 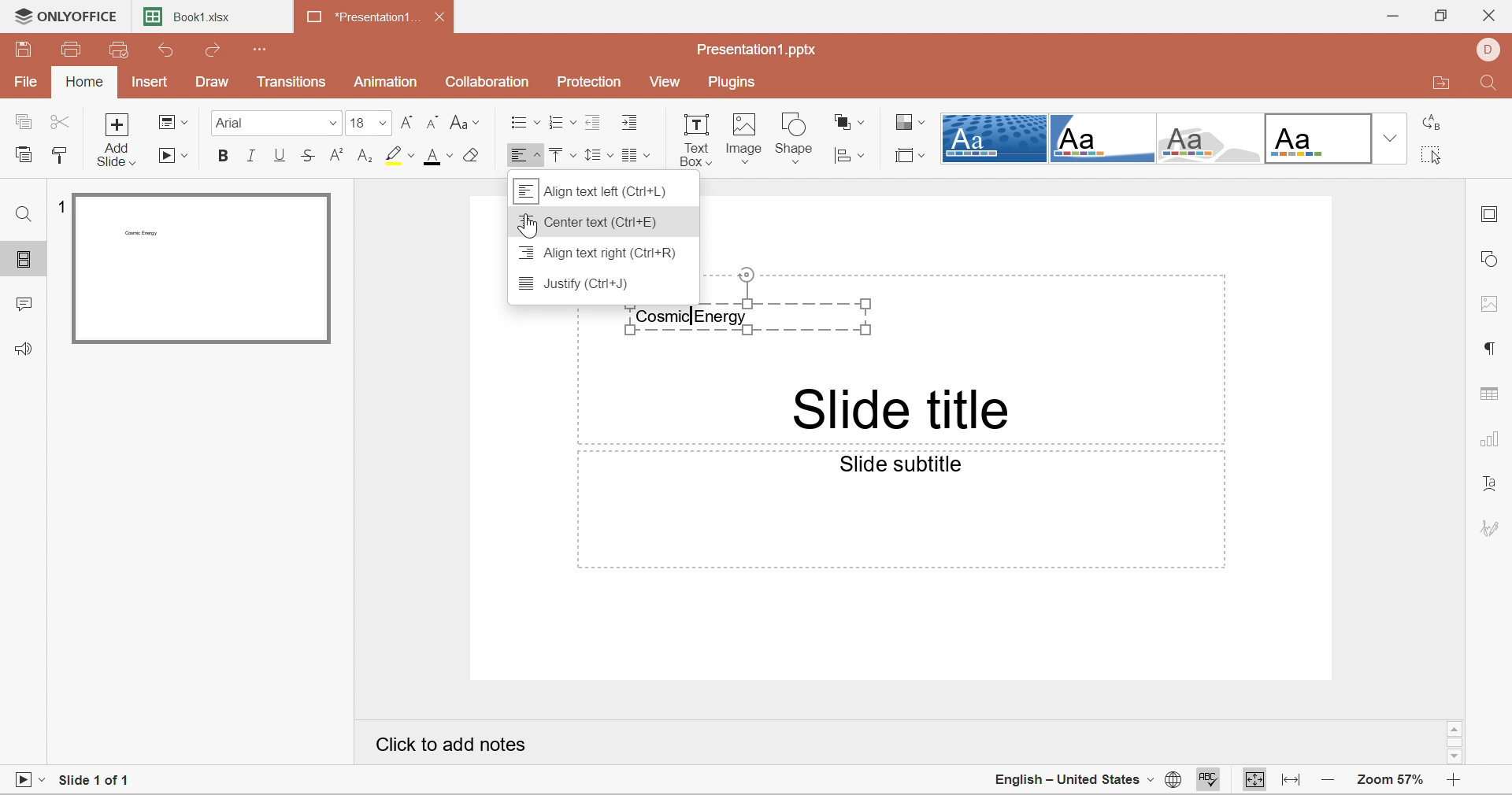 What do you see at coordinates (669, 83) in the screenshot?
I see `View` at bounding box center [669, 83].